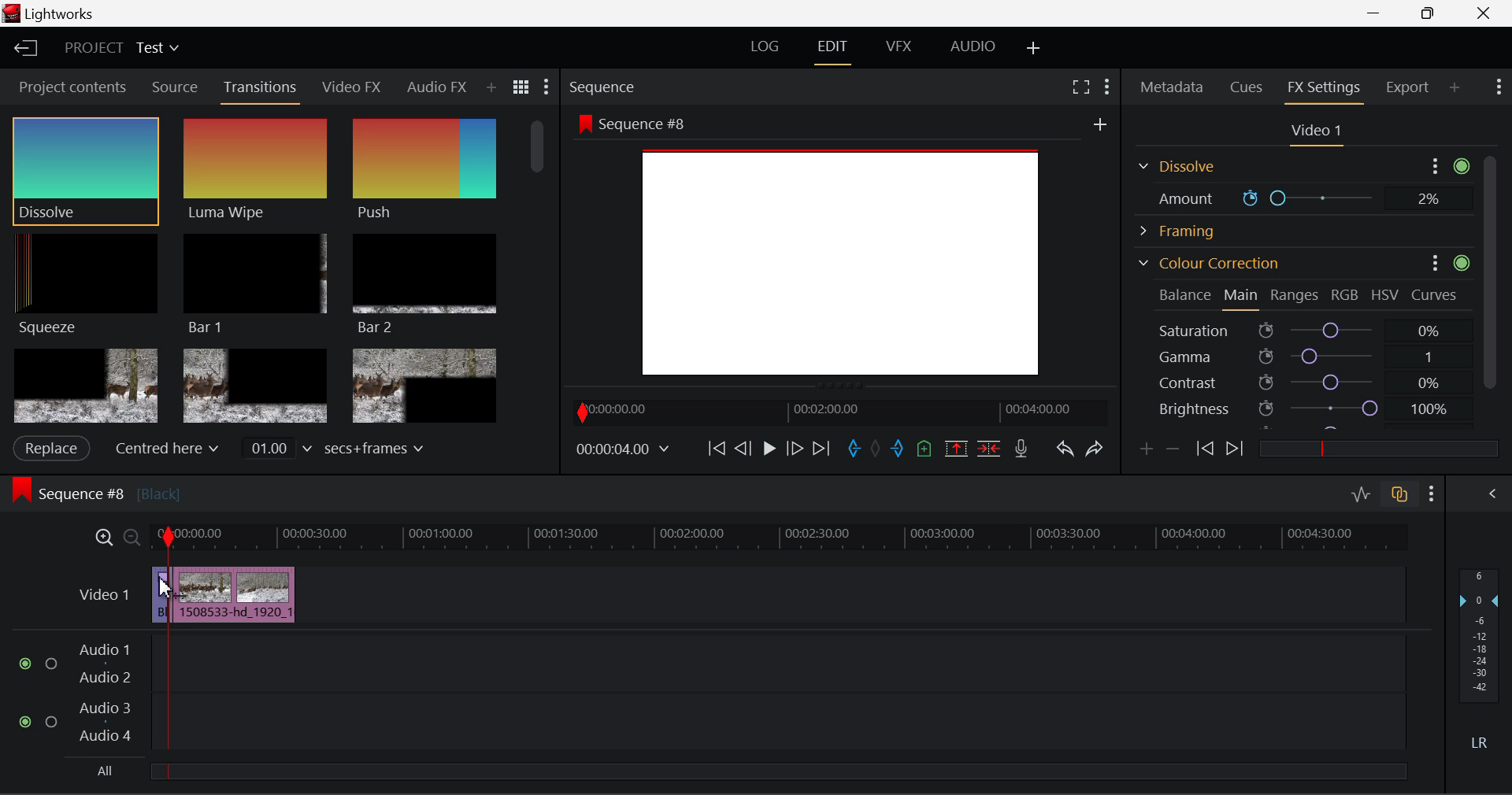  What do you see at coordinates (1373, 447) in the screenshot?
I see `slider` at bounding box center [1373, 447].